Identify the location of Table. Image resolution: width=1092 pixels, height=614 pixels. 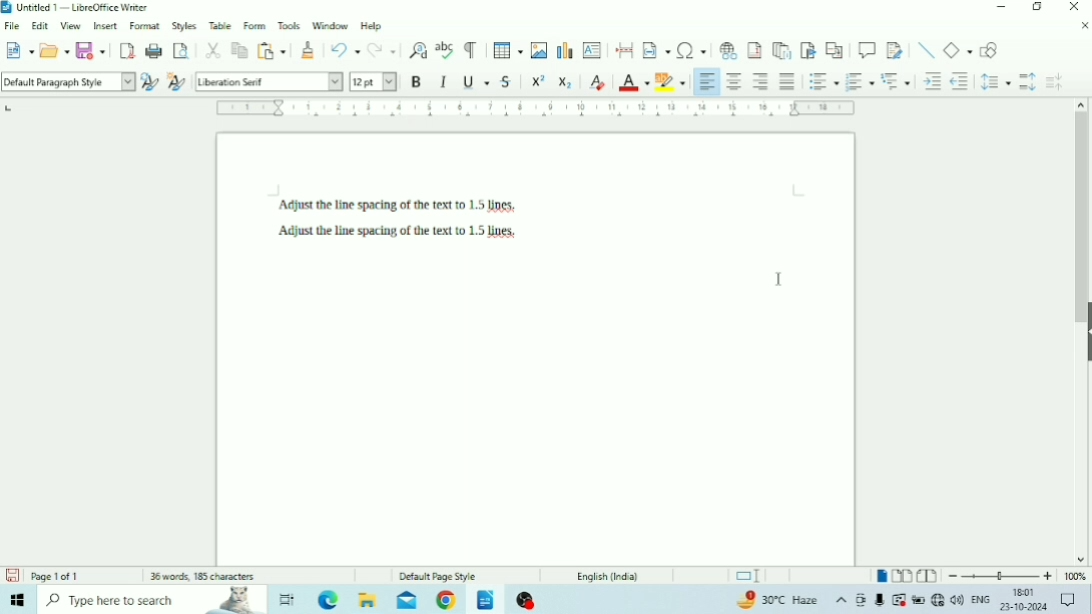
(221, 25).